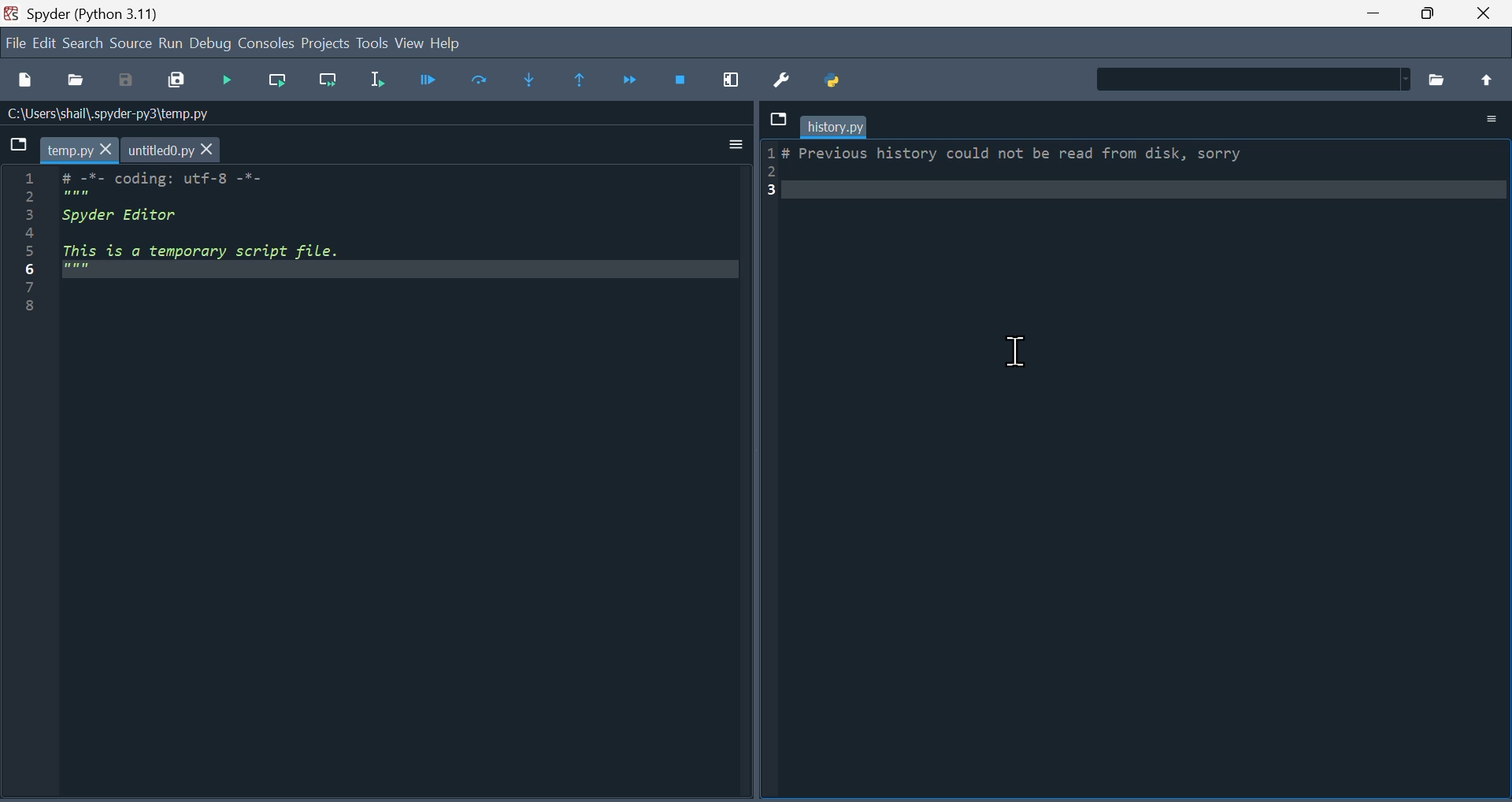 The width and height of the screenshot is (1512, 802). What do you see at coordinates (380, 78) in the screenshot?
I see `Run selection` at bounding box center [380, 78].